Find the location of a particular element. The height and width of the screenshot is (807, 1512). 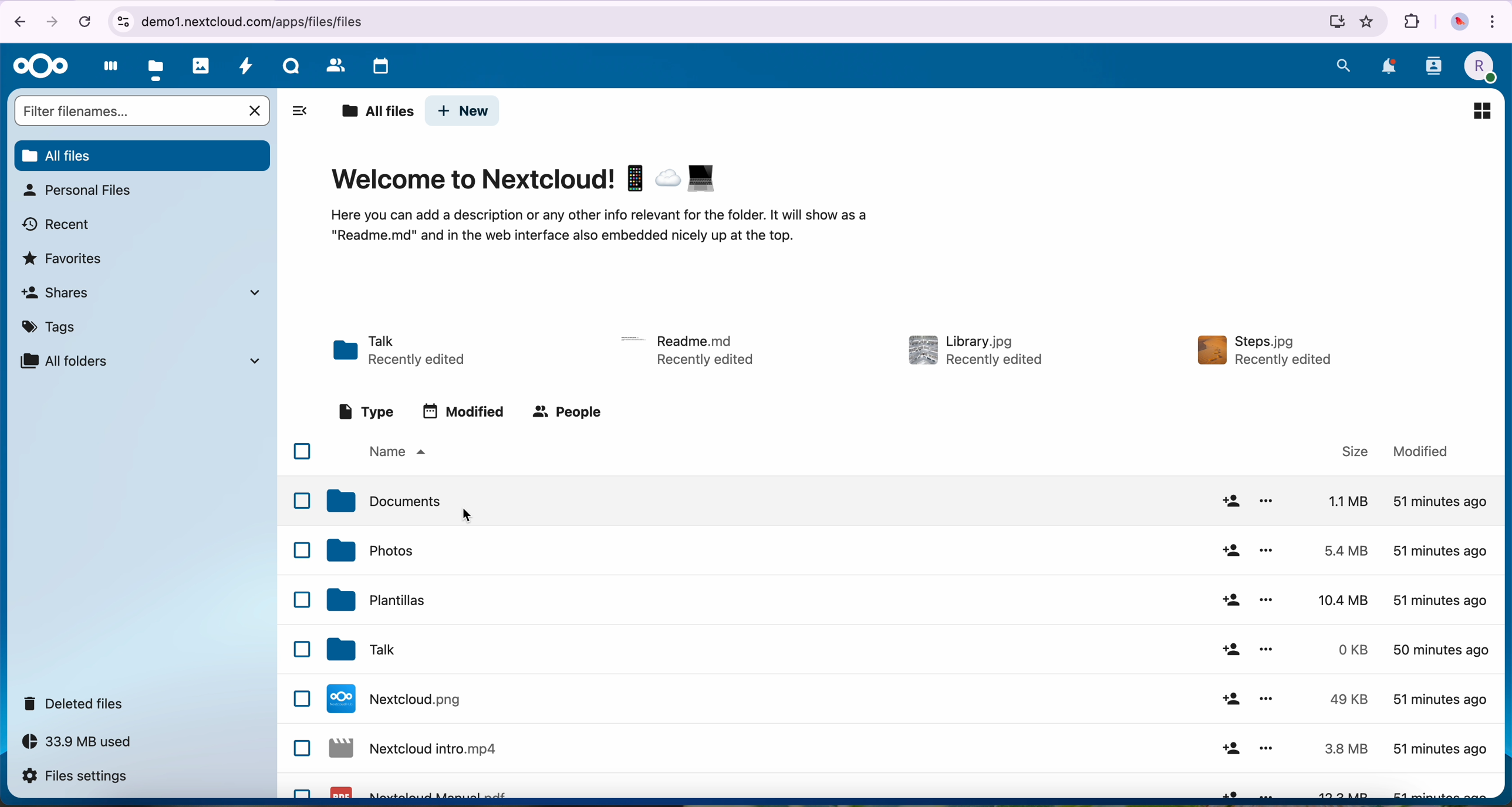

name is located at coordinates (395, 453).